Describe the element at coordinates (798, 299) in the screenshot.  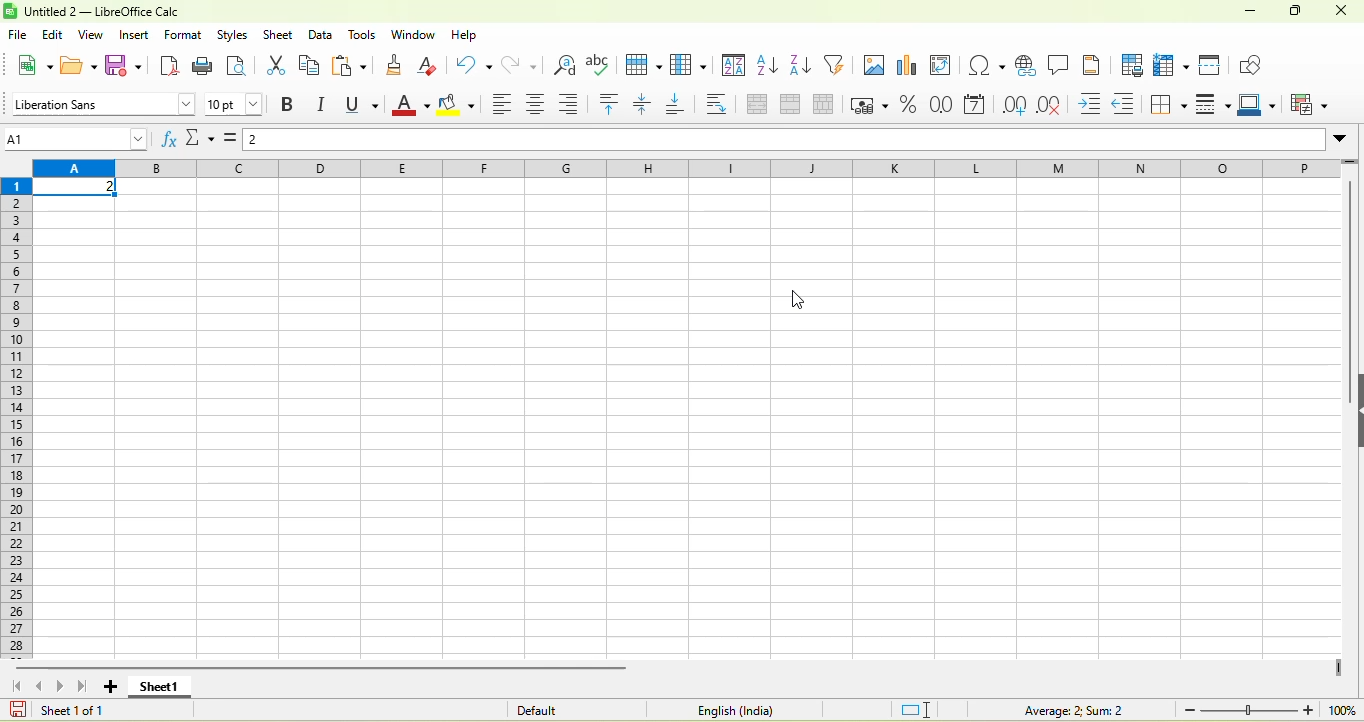
I see `cursor` at that location.